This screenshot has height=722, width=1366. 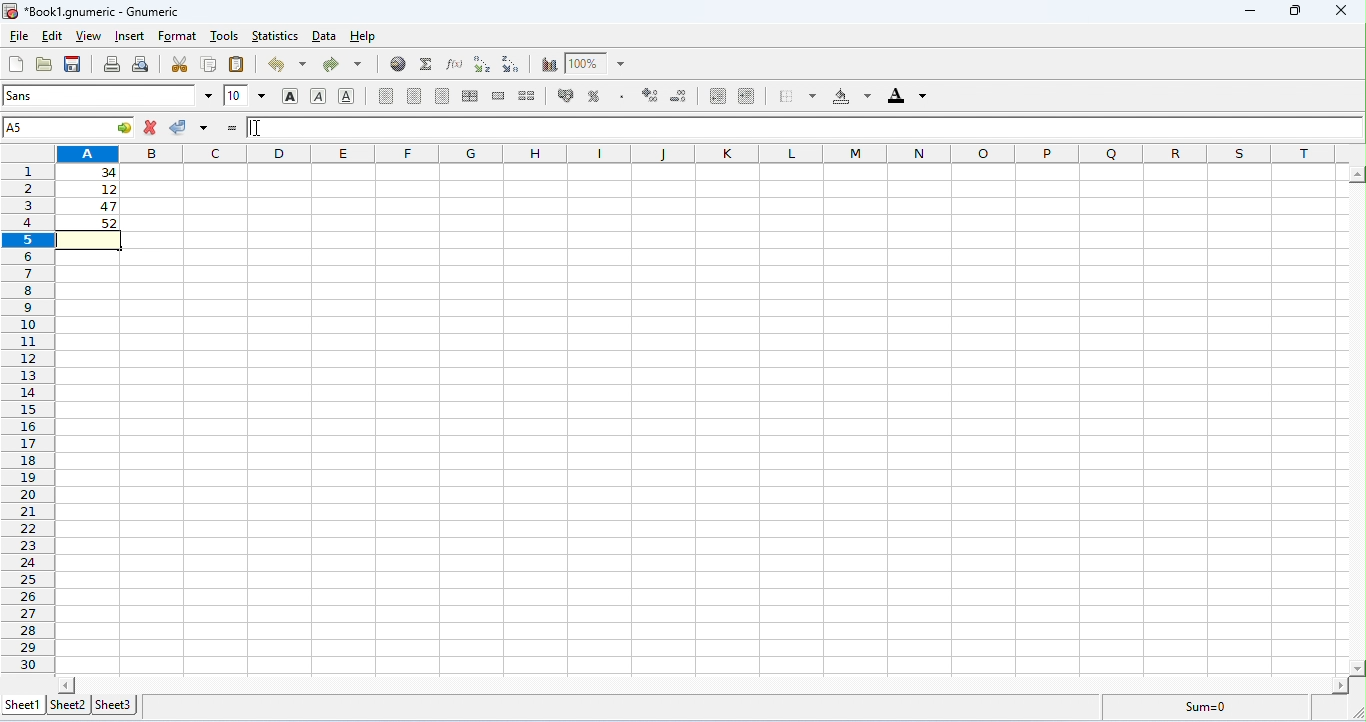 What do you see at coordinates (260, 128) in the screenshot?
I see `typing cursor` at bounding box center [260, 128].